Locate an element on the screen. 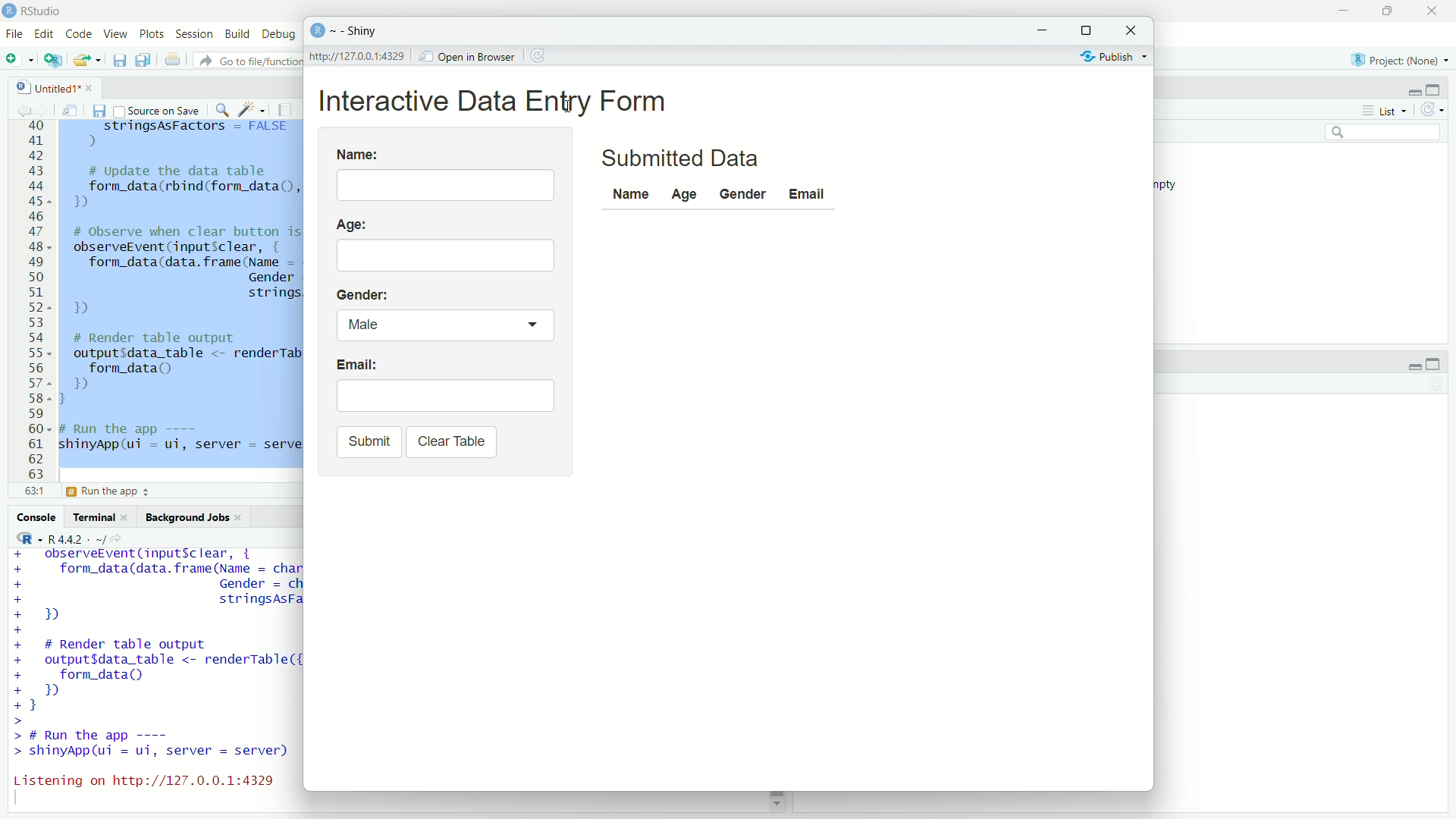 The image size is (1456, 819). close is located at coordinates (243, 518).